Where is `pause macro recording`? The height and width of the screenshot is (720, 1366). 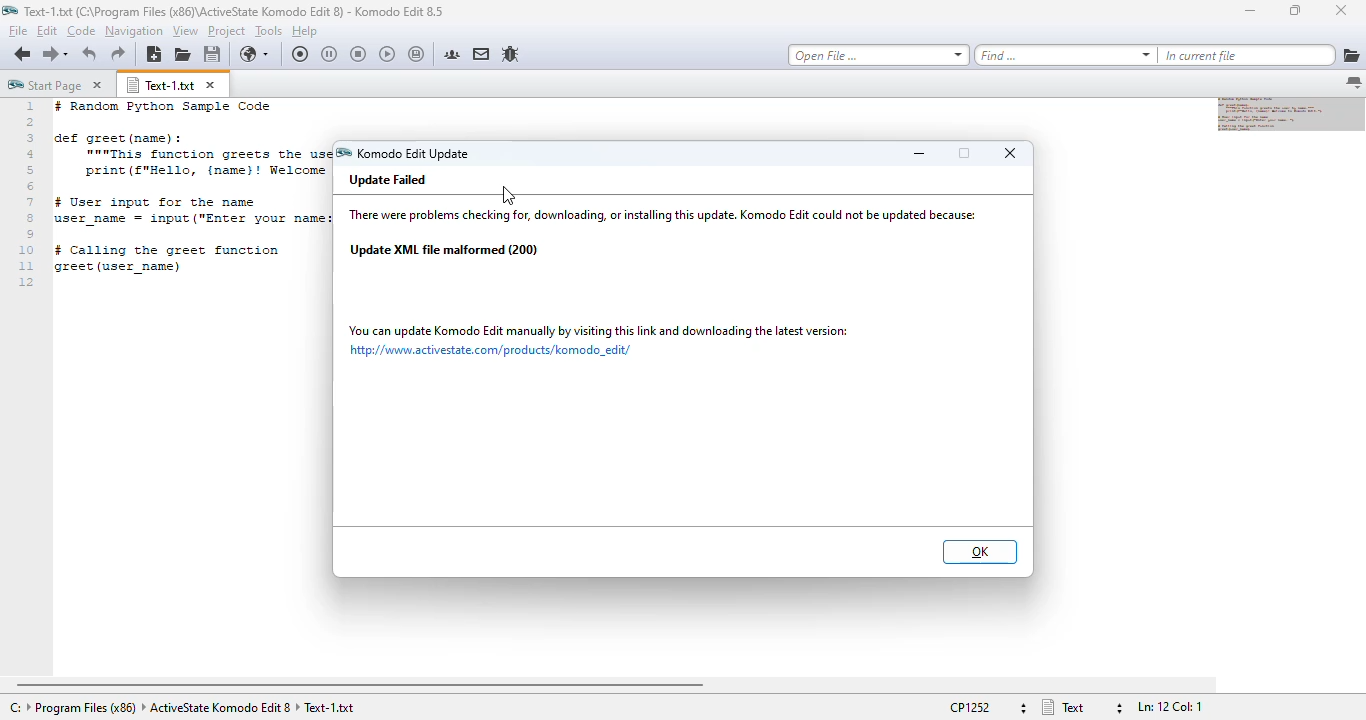 pause macro recording is located at coordinates (329, 54).